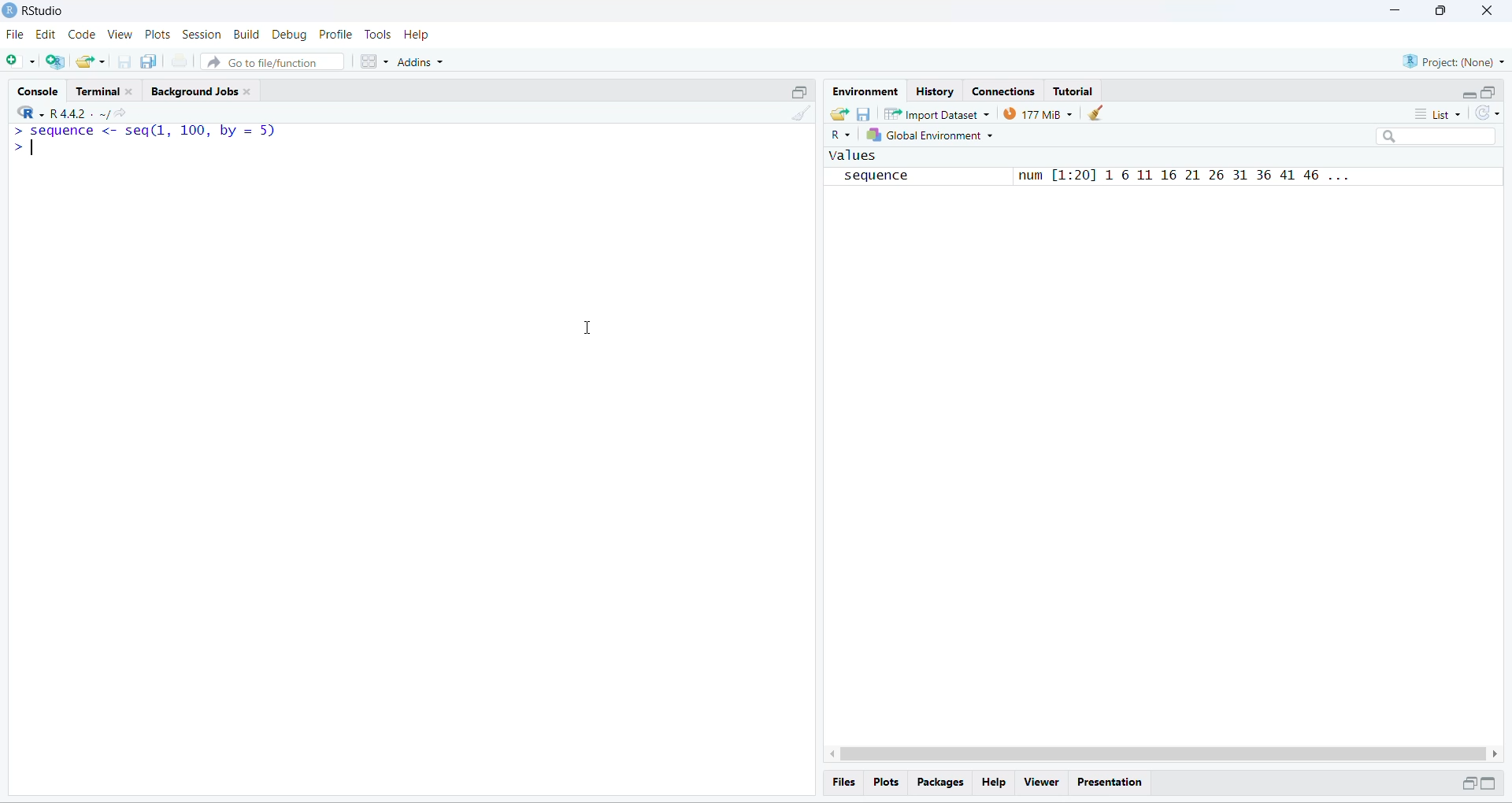 This screenshot has width=1512, height=803. Describe the element at coordinates (1440, 136) in the screenshot. I see `search box` at that location.